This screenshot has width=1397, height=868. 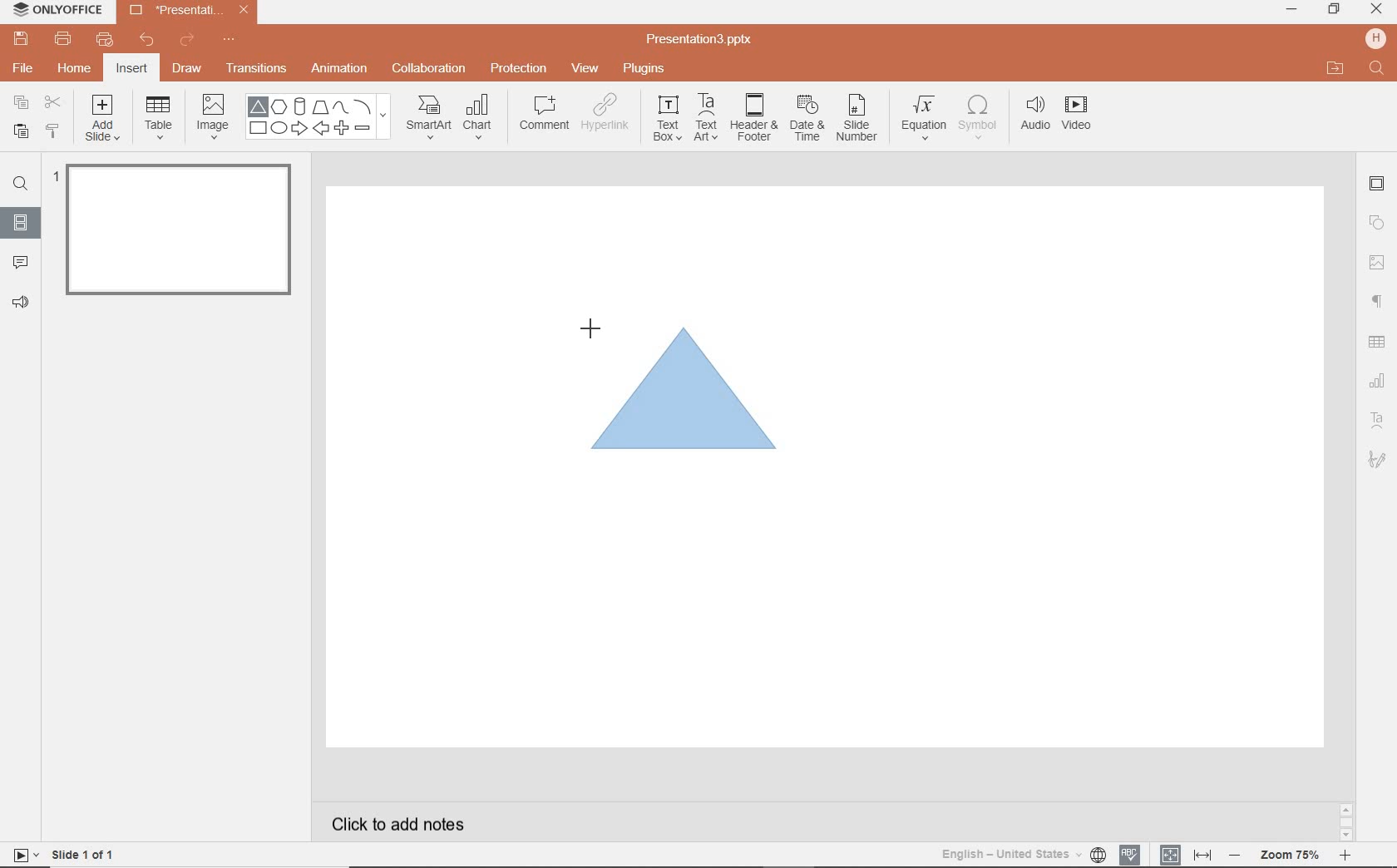 I want to click on SHAPES, so click(x=318, y=117).